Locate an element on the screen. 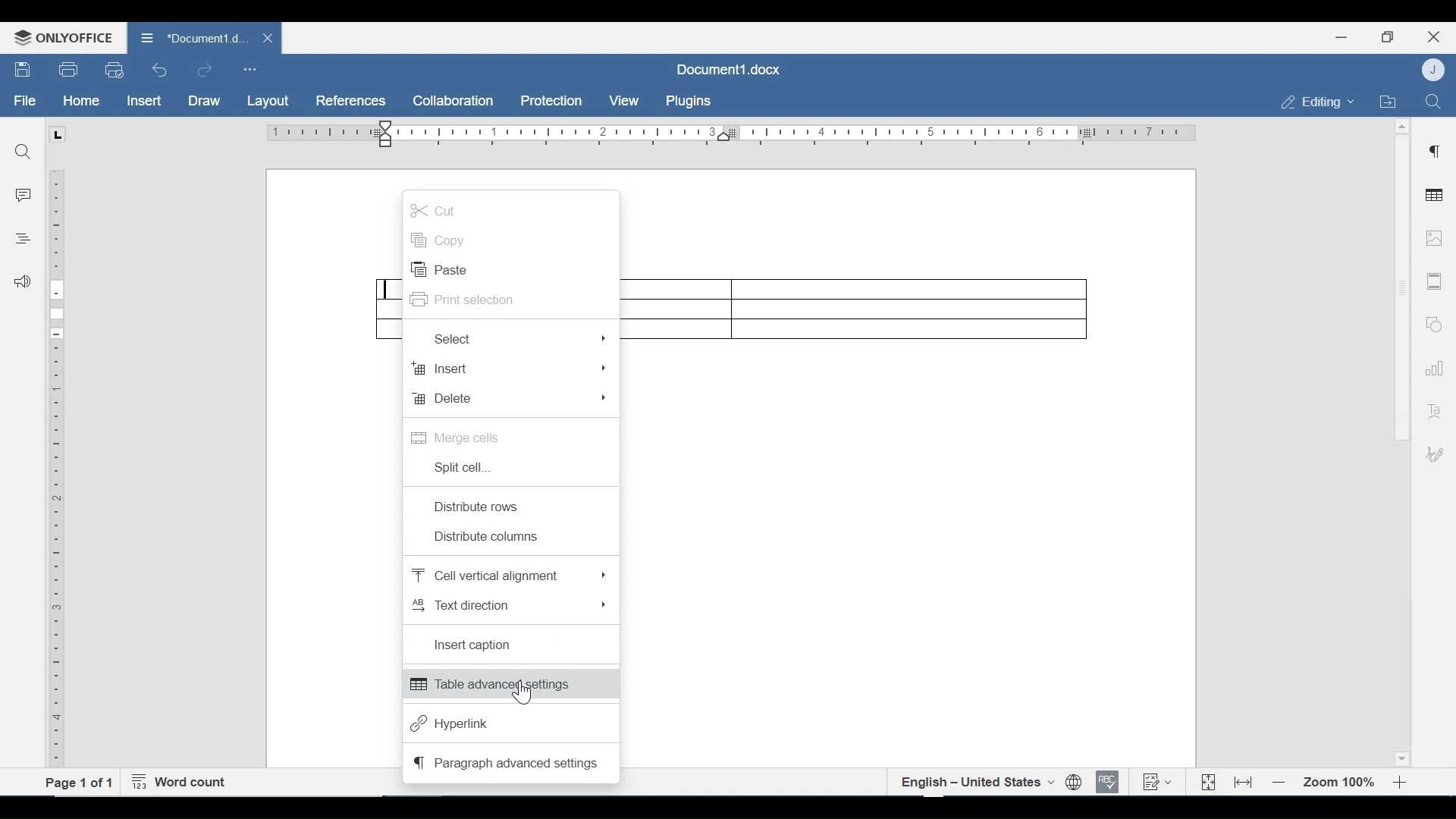 The height and width of the screenshot is (819, 1456). Set document language is located at coordinates (1075, 783).